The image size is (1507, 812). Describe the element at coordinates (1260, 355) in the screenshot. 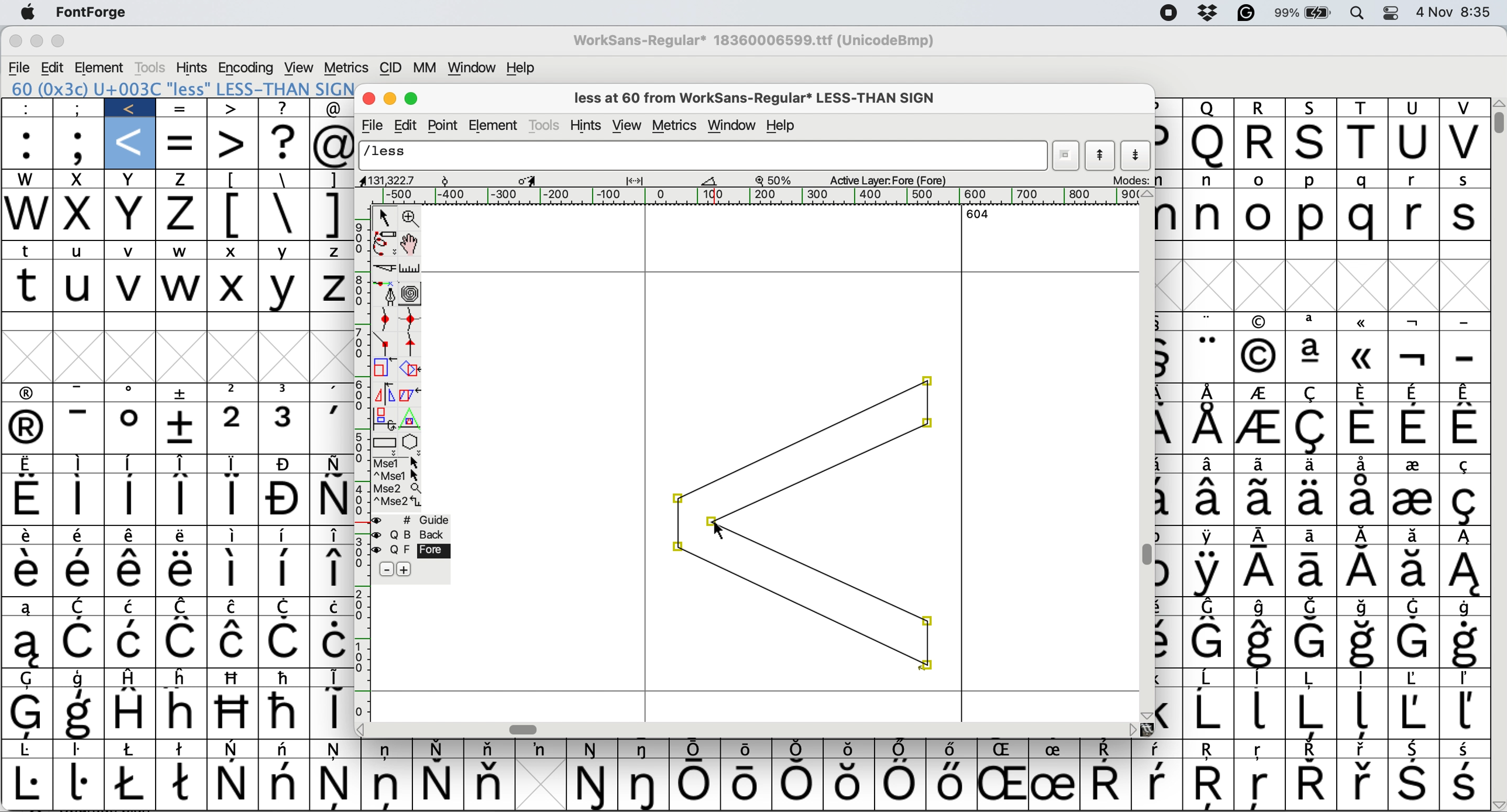

I see `Symbol` at that location.